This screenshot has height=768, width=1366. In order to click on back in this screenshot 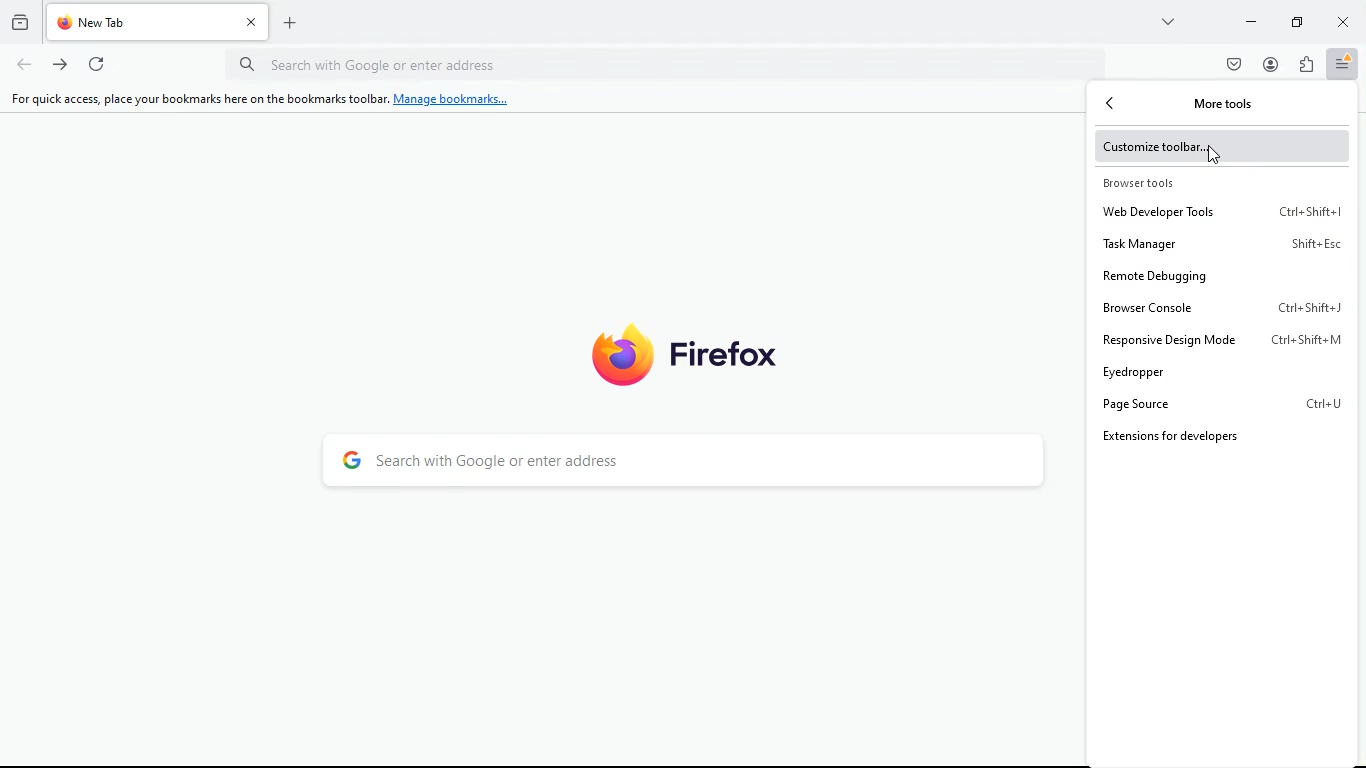, I will do `click(24, 66)`.